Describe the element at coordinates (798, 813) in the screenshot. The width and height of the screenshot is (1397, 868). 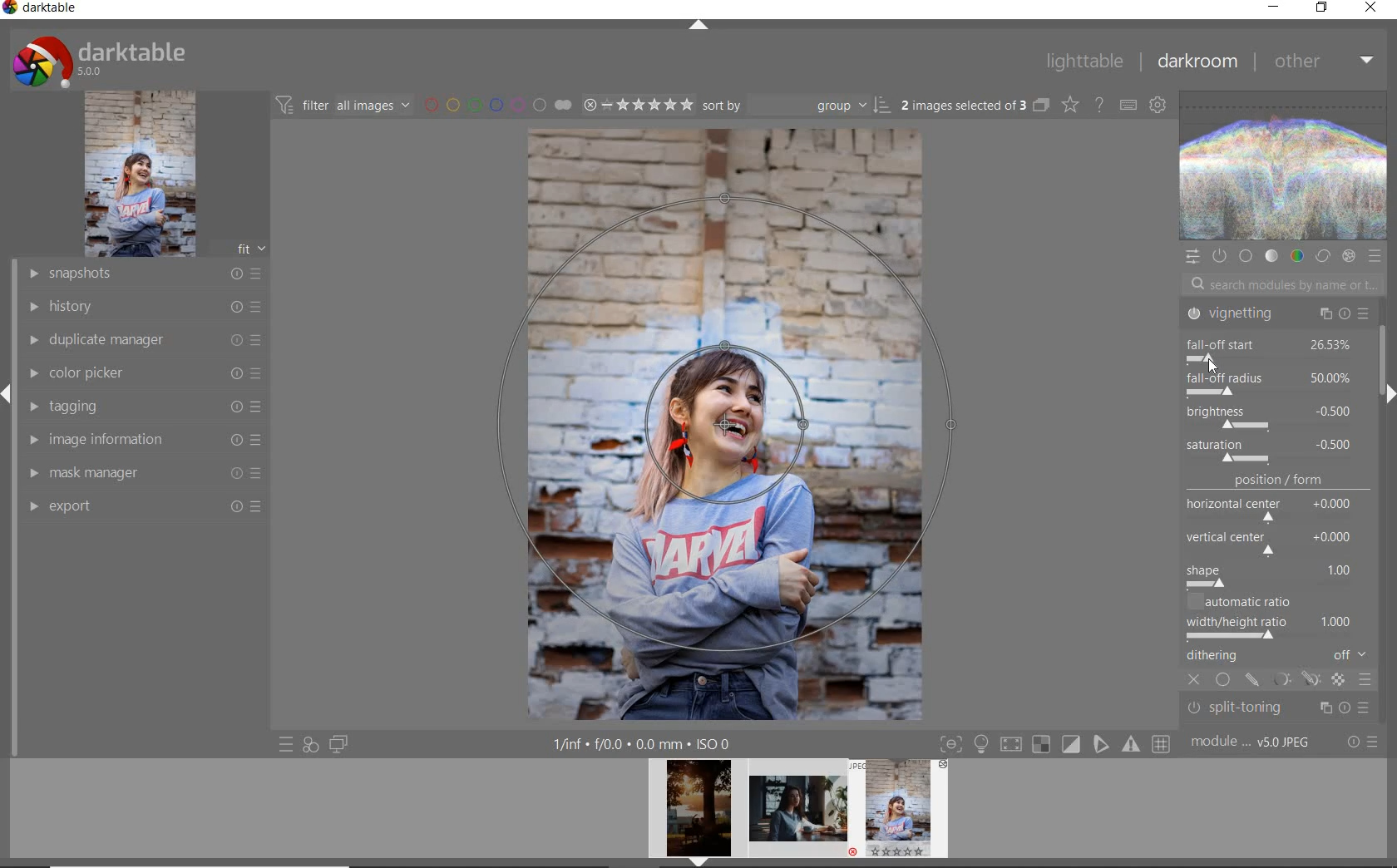
I see `image preview` at that location.